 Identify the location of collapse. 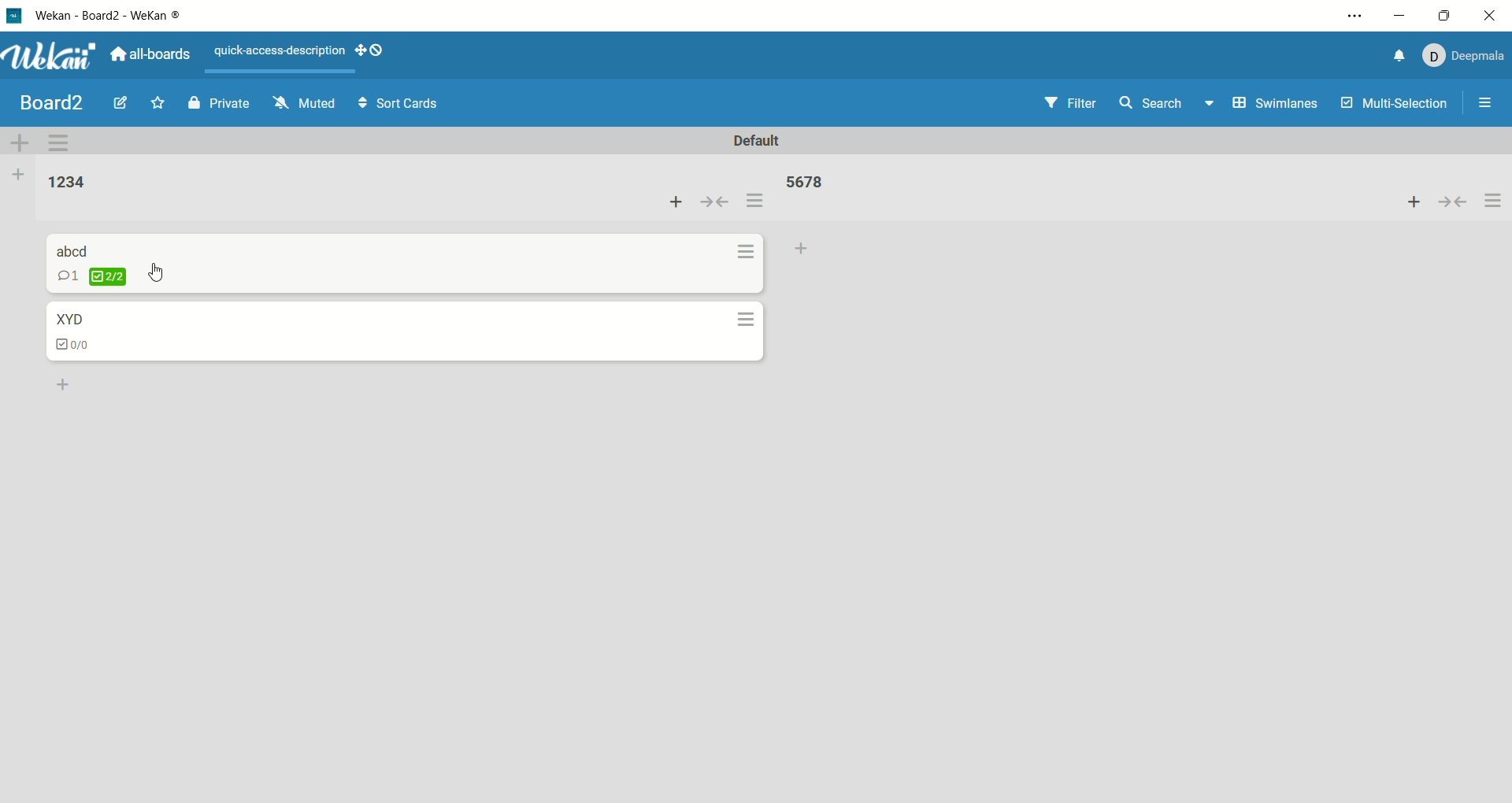
(713, 203).